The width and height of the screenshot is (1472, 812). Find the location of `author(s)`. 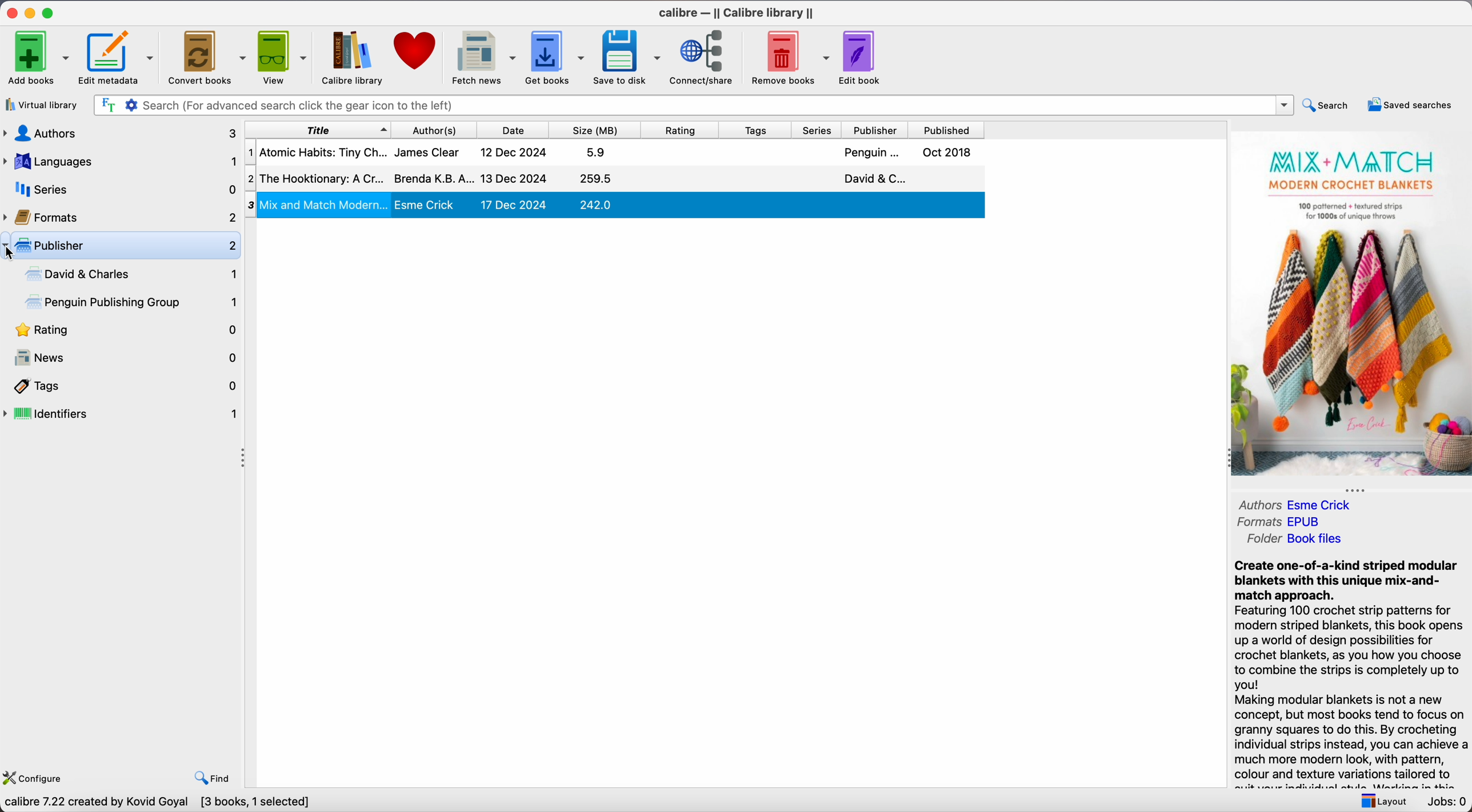

author(s) is located at coordinates (439, 129).